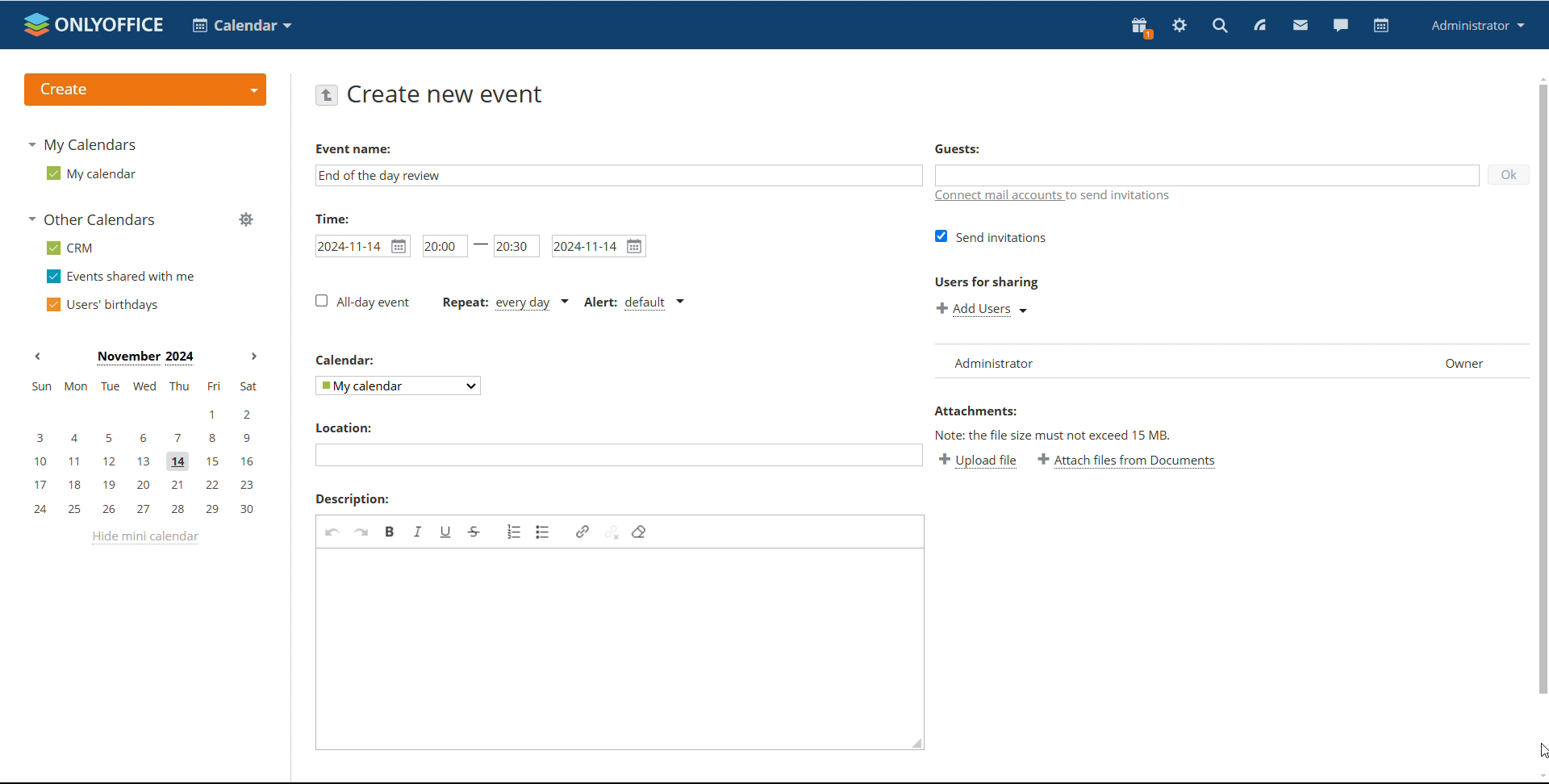 This screenshot has width=1549, height=784. What do you see at coordinates (633, 303) in the screenshot?
I see `alert type` at bounding box center [633, 303].